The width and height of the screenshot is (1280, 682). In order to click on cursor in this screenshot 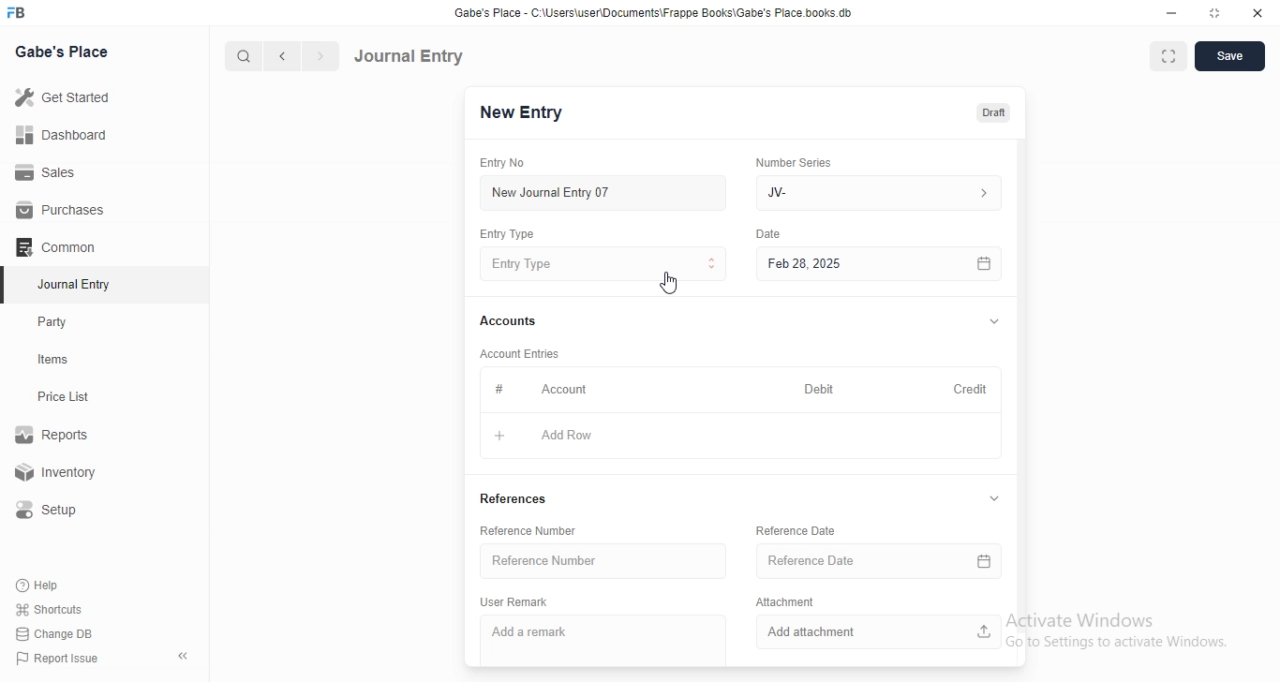, I will do `click(668, 283)`.